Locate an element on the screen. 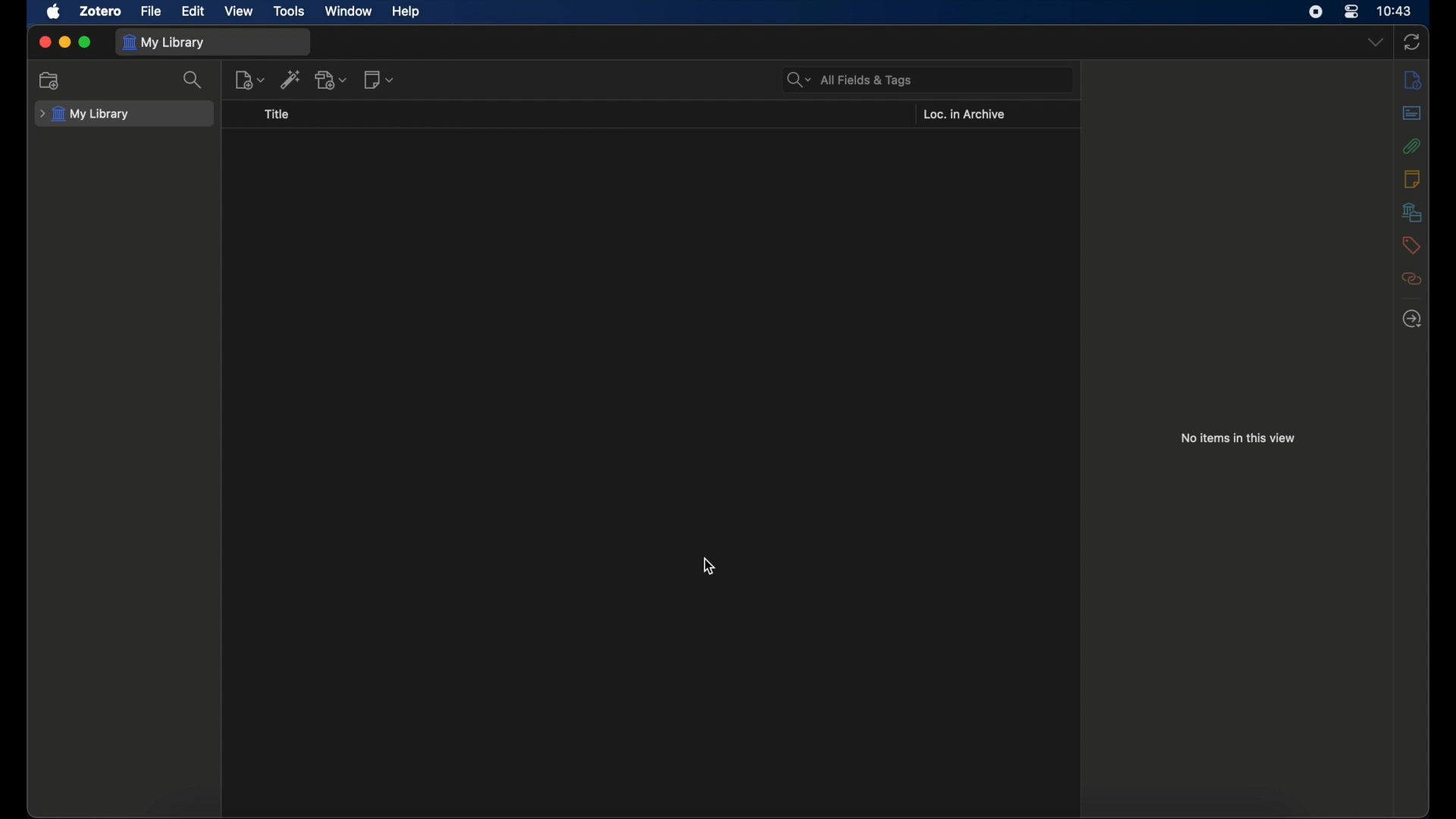 This screenshot has height=819, width=1456. screen recorder is located at coordinates (1318, 12).